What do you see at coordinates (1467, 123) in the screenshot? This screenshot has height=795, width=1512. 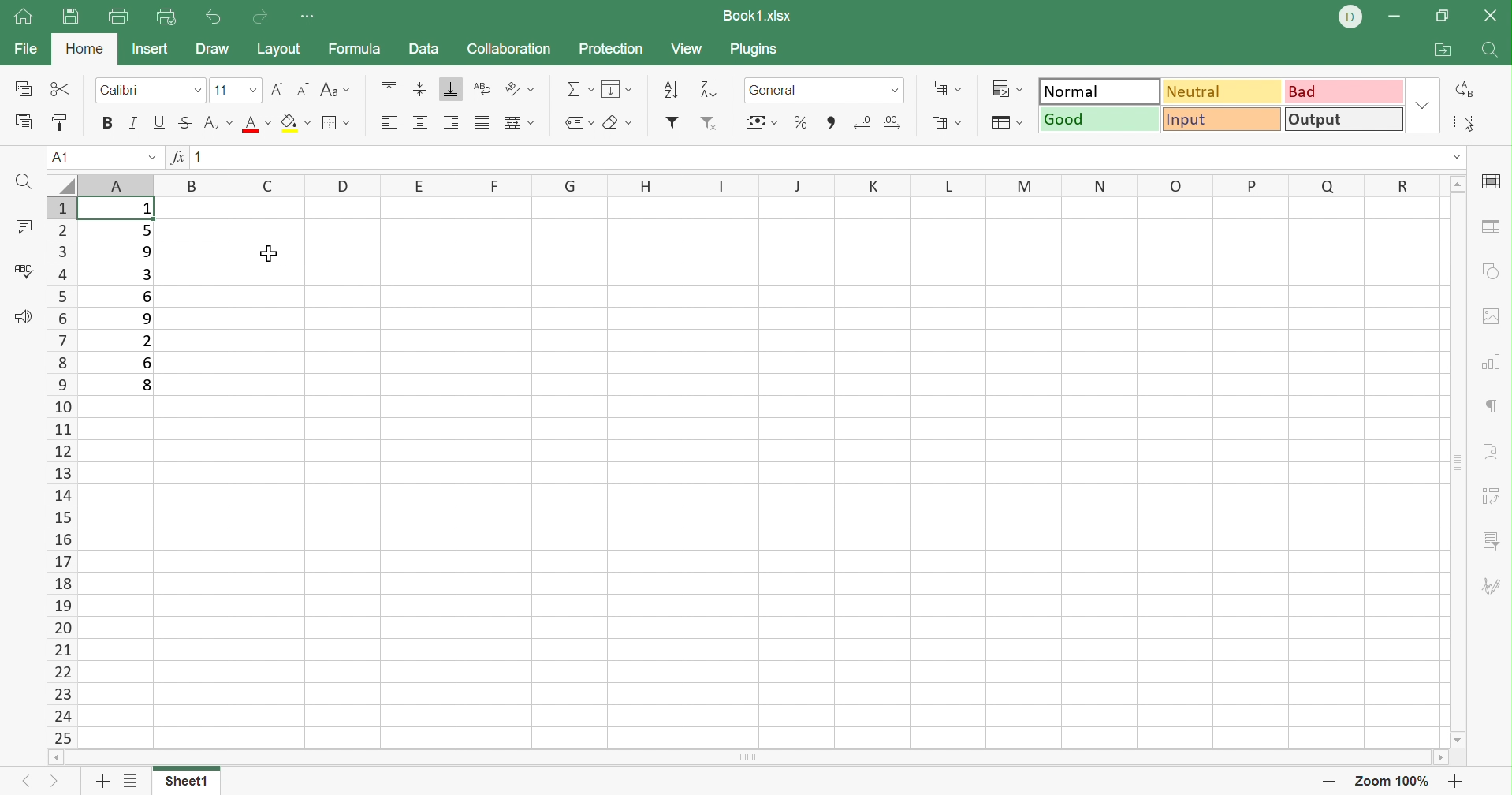 I see `Select all` at bounding box center [1467, 123].